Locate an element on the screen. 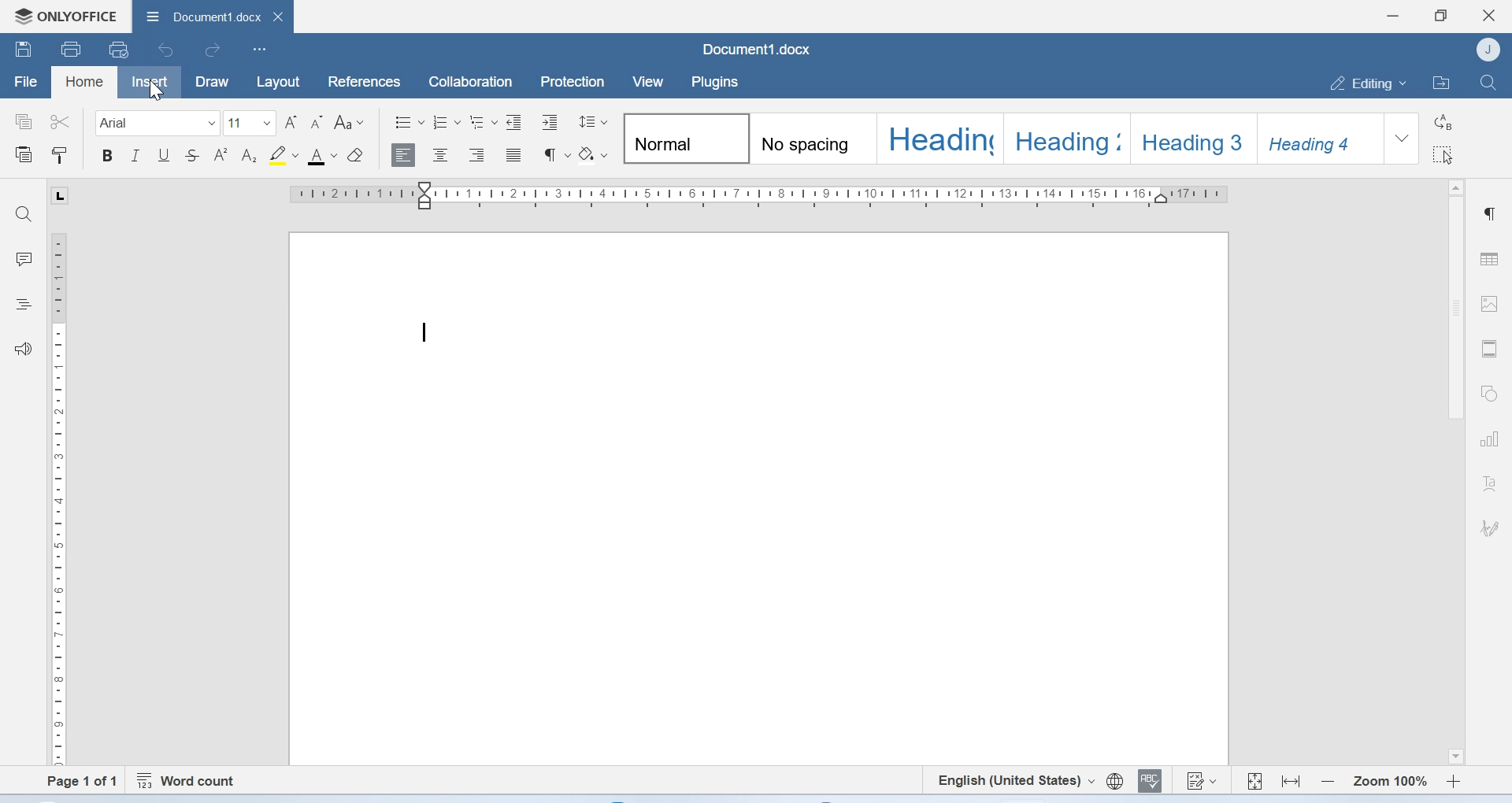 The height and width of the screenshot is (803, 1512). Highlight color is located at coordinates (283, 157).